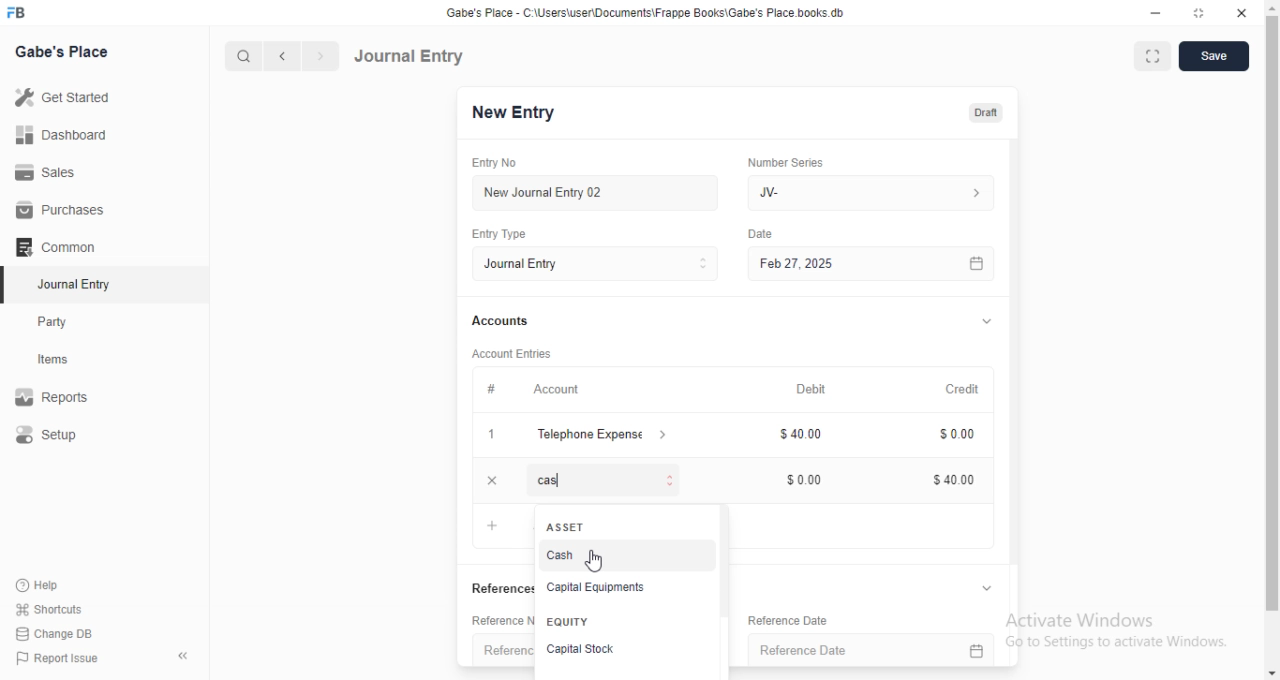 The height and width of the screenshot is (680, 1280). I want to click on ASSET, so click(564, 527).